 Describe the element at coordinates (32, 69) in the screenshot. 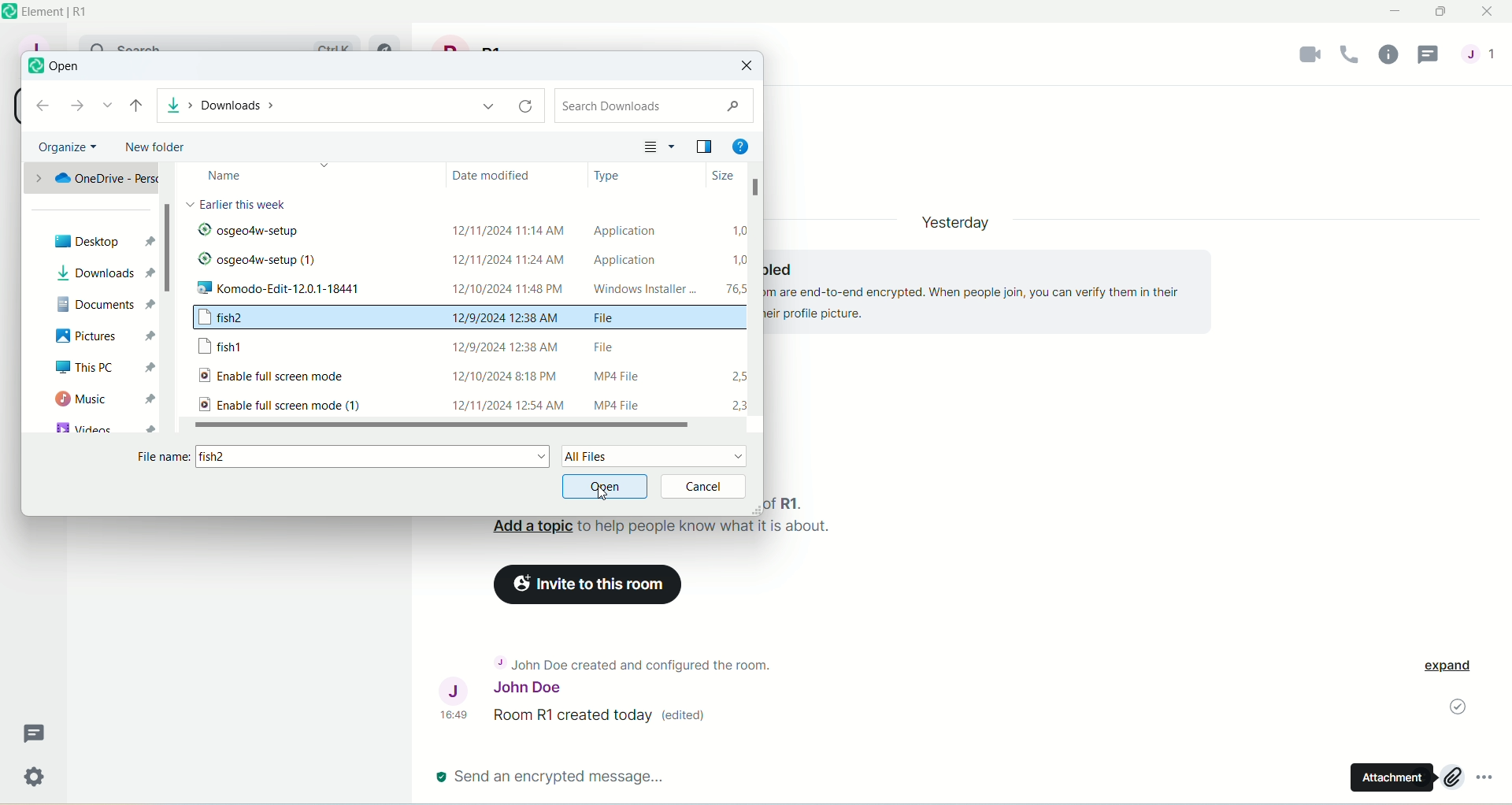

I see `logo` at that location.